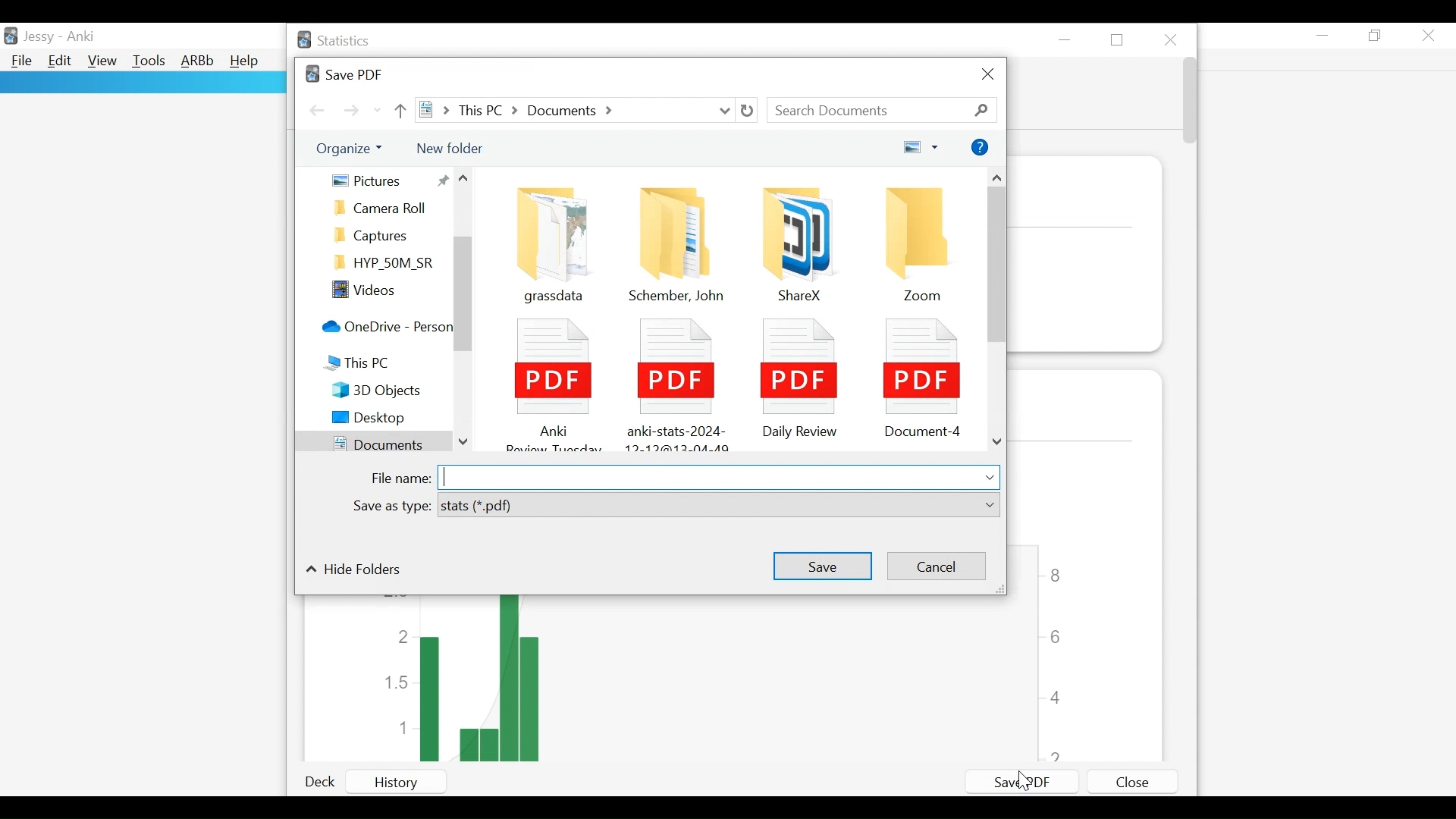 The width and height of the screenshot is (1456, 819). What do you see at coordinates (385, 264) in the screenshot?
I see `Folder` at bounding box center [385, 264].